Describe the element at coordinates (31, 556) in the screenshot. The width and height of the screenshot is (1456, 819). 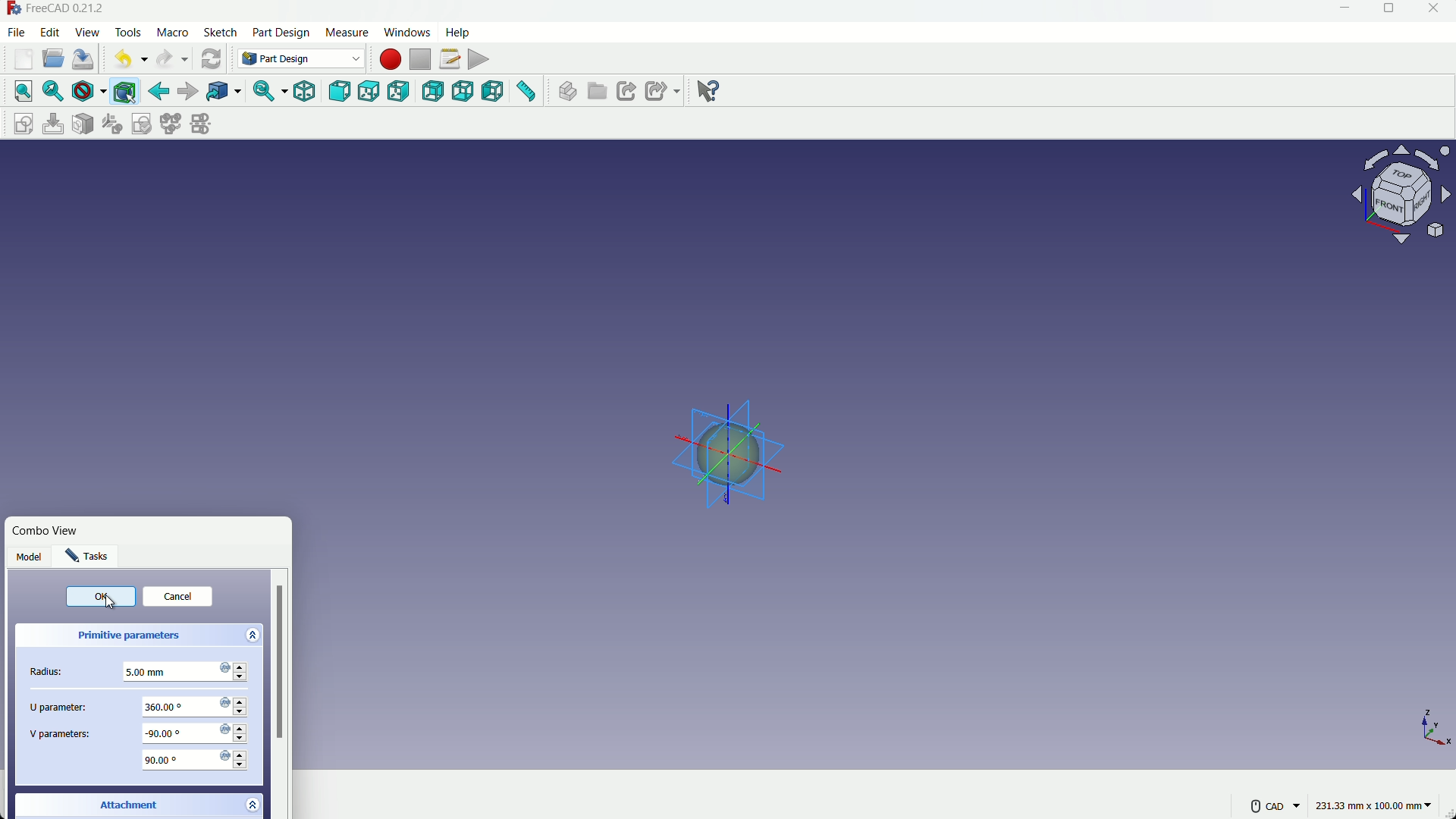
I see `model tab` at that location.